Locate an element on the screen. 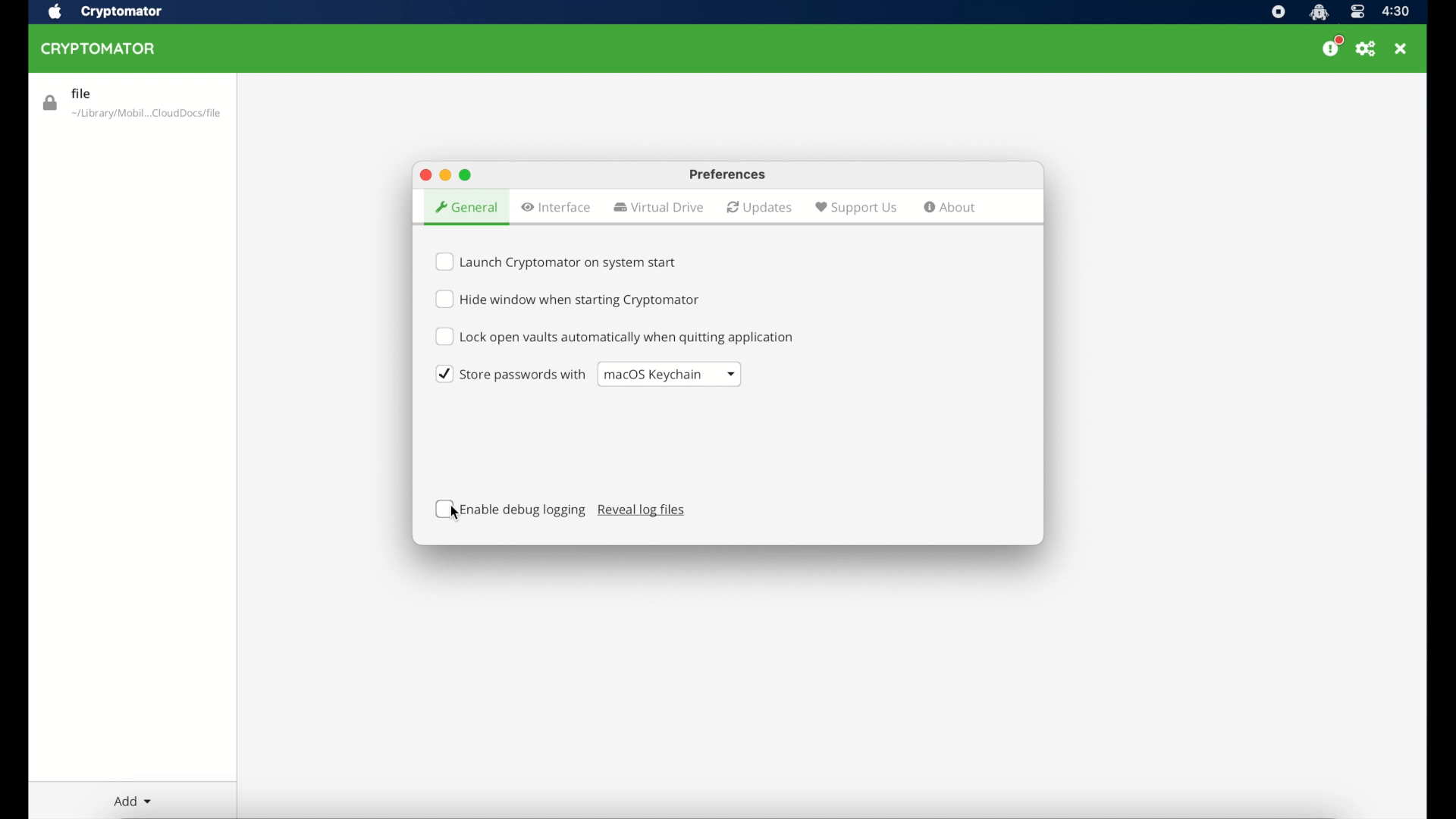  general is located at coordinates (465, 202).